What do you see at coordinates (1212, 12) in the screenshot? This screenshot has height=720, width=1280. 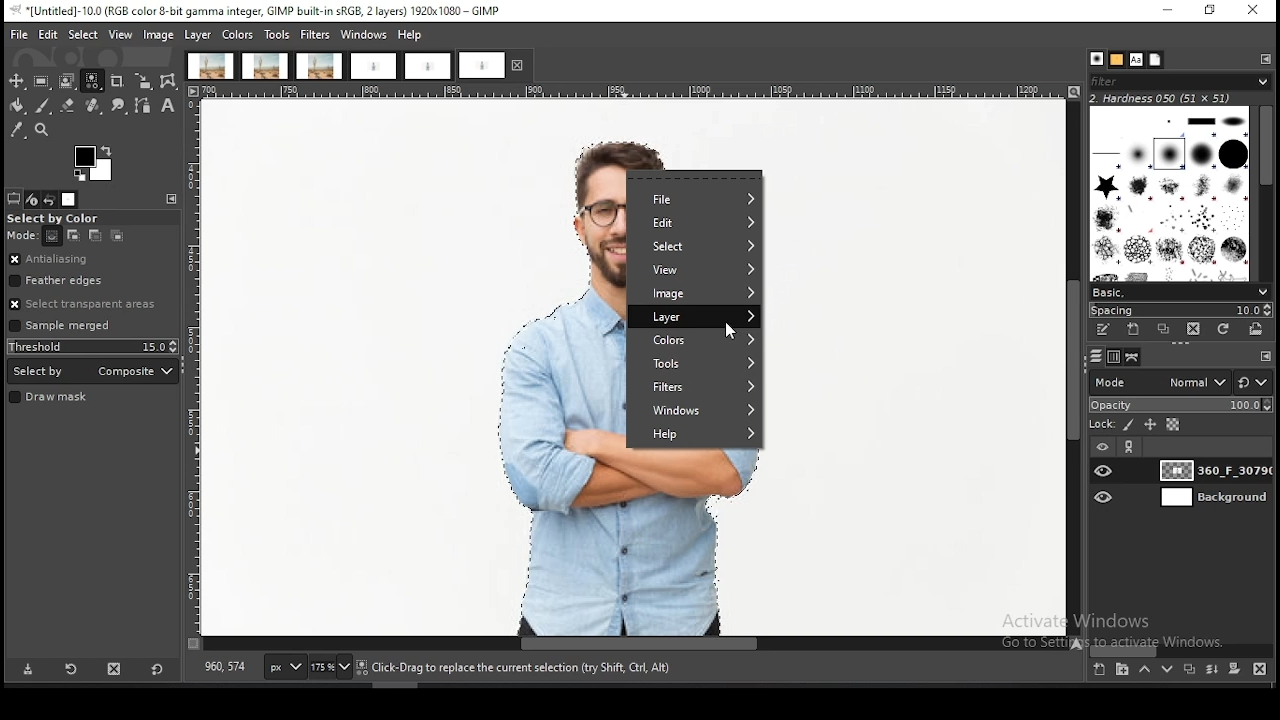 I see `restore` at bounding box center [1212, 12].